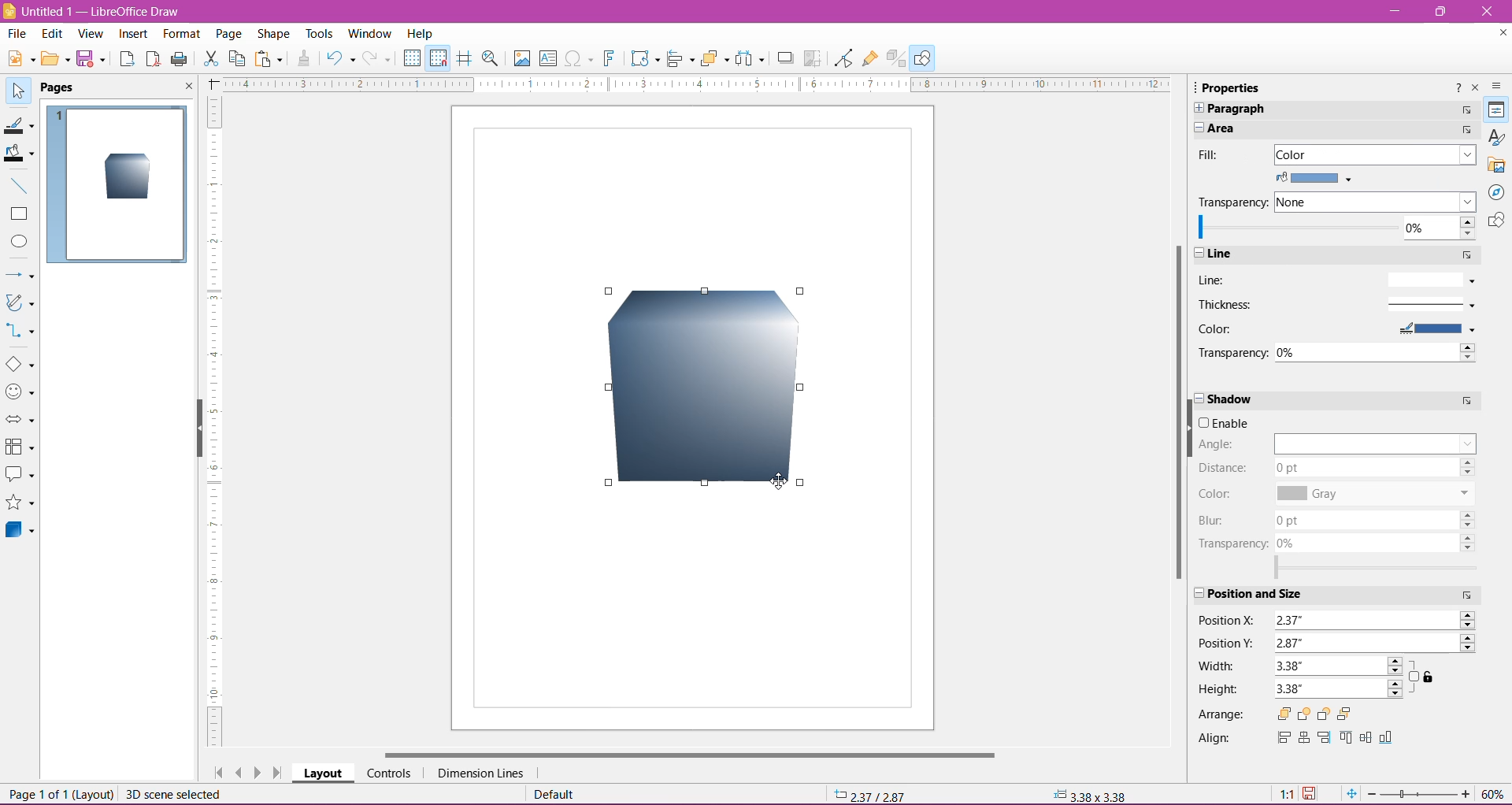 The width and height of the screenshot is (1512, 805). Describe the element at coordinates (794, 480) in the screenshot. I see `cursor` at that location.